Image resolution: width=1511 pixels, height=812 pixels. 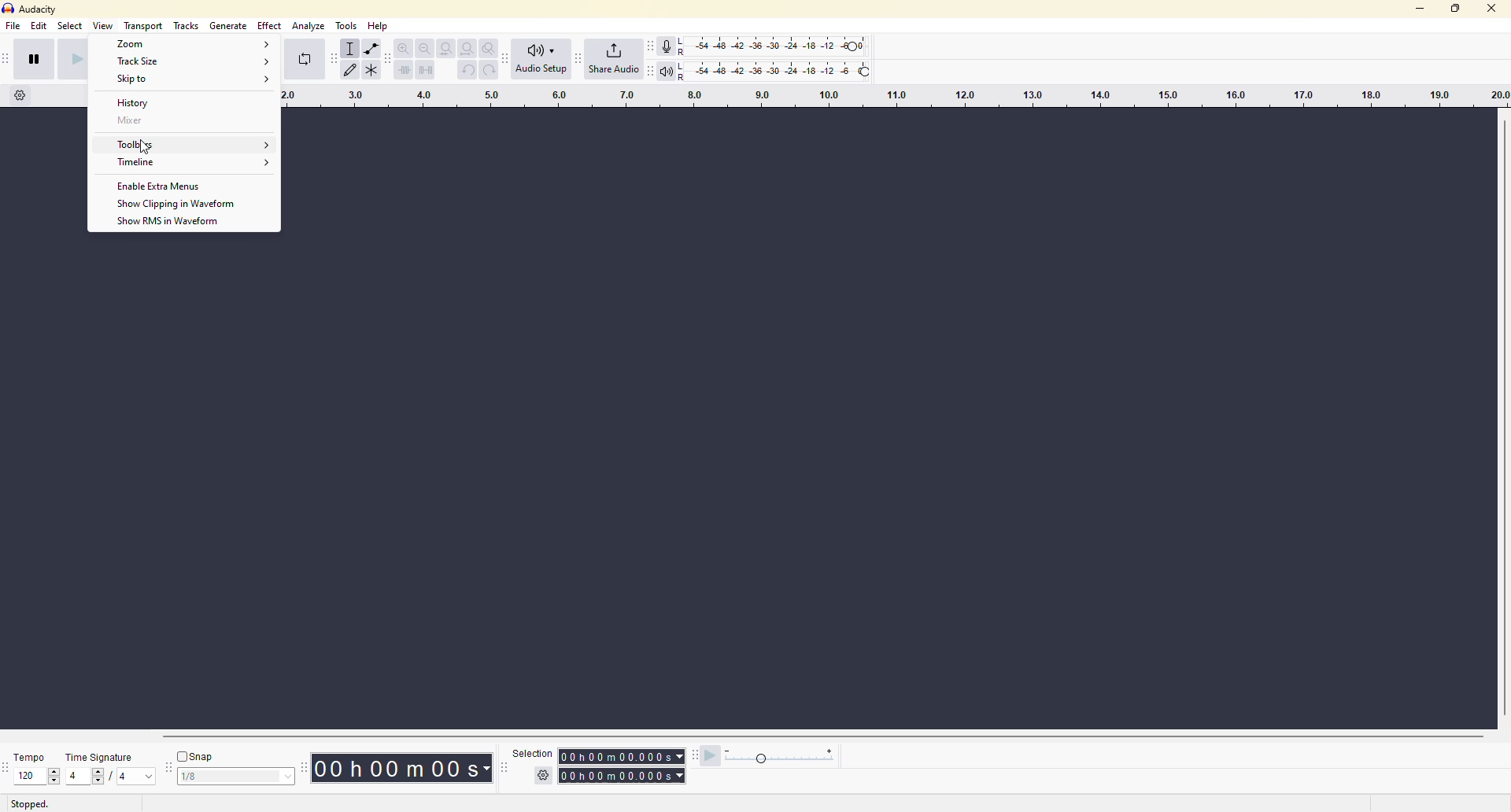 I want to click on Enable Extra Menus, so click(x=161, y=186).